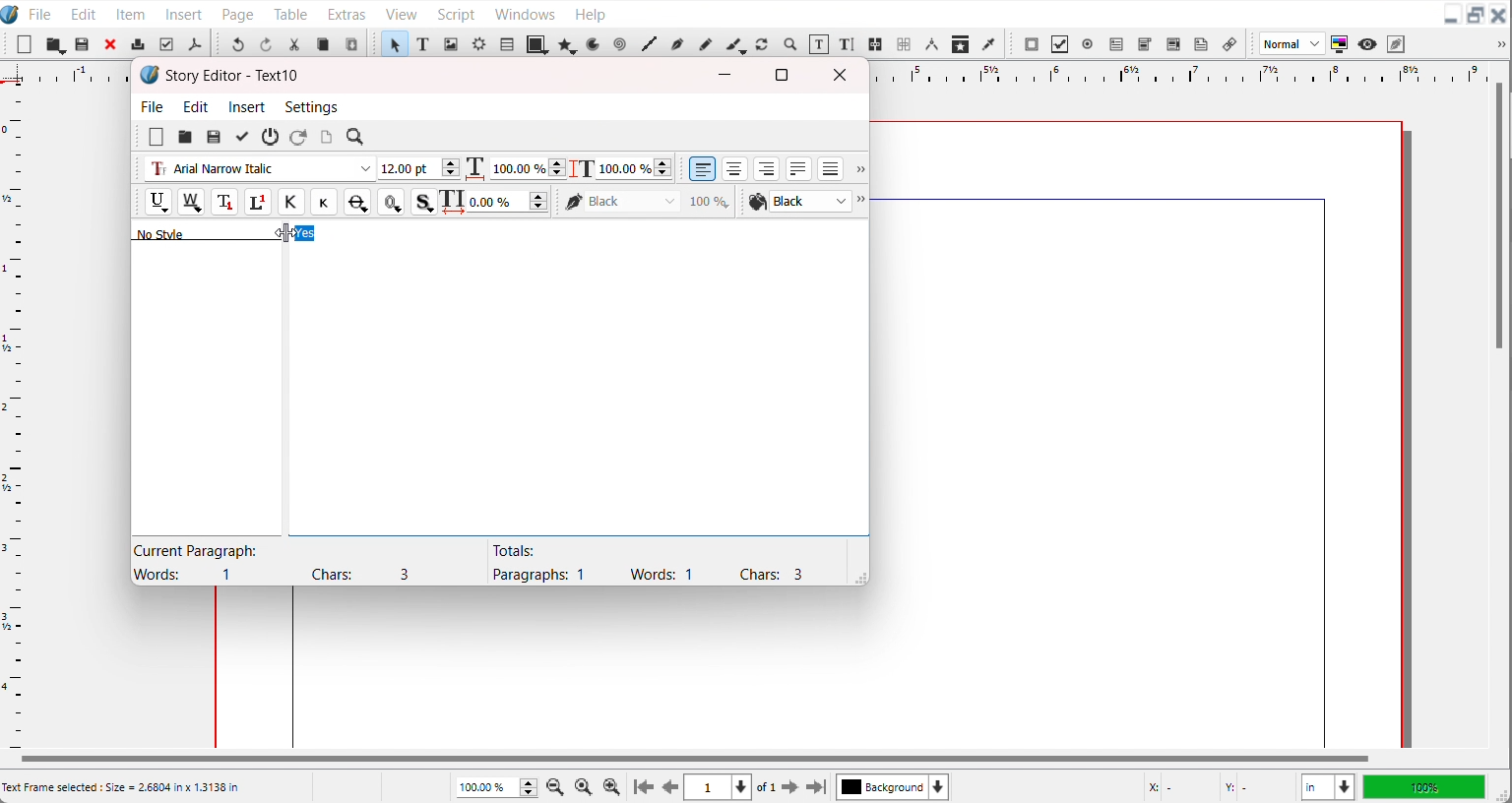 The height and width of the screenshot is (803, 1512). What do you see at coordinates (1144, 44) in the screenshot?
I see `PDF Combo button` at bounding box center [1144, 44].